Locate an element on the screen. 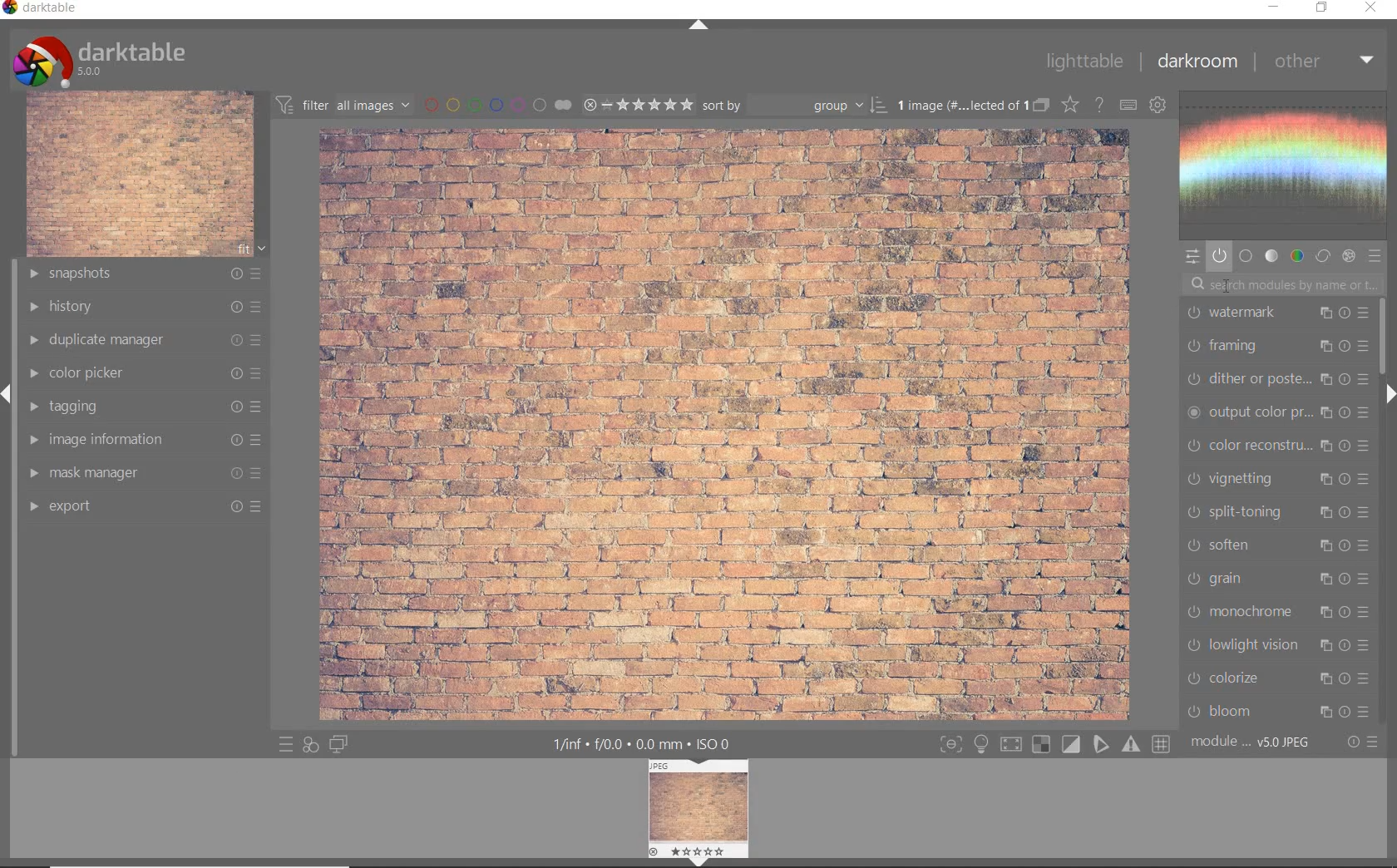  up is located at coordinates (700, 26).